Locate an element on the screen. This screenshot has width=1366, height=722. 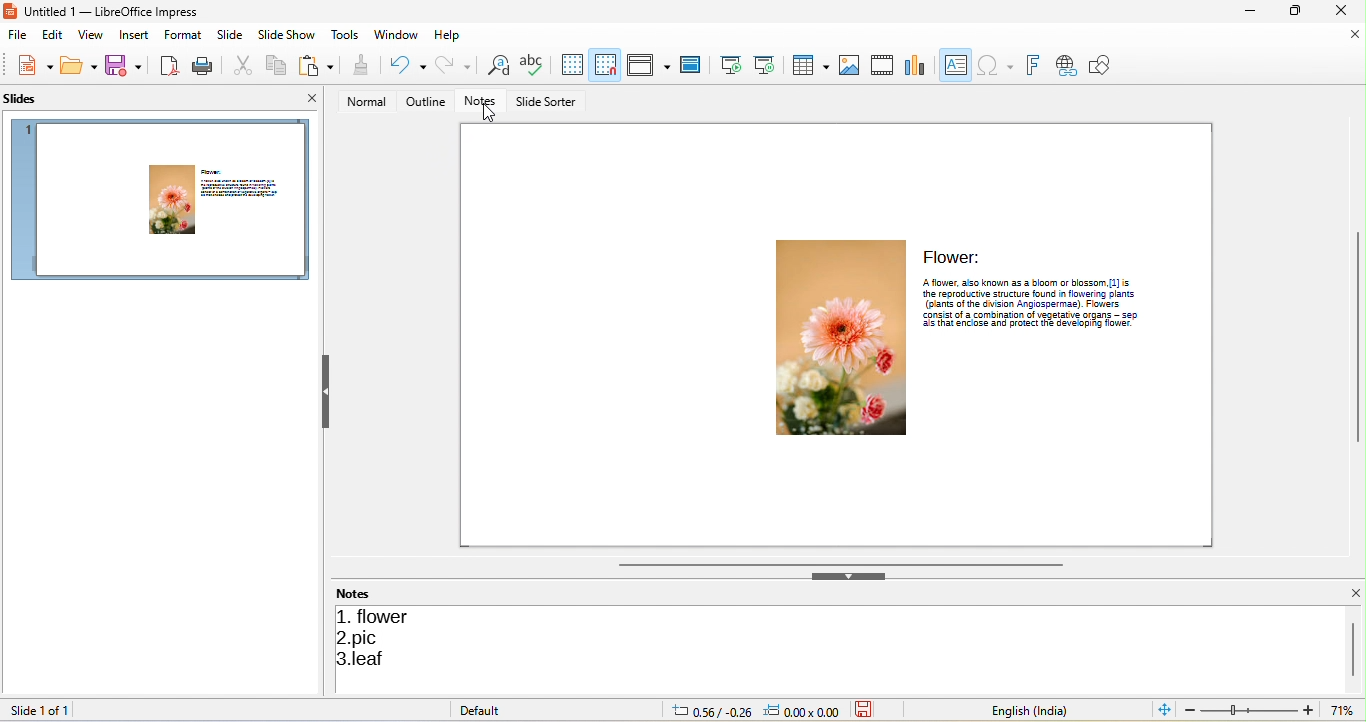
A flower. also known as a bloom or blossom [1] is is located at coordinates (1037, 281).